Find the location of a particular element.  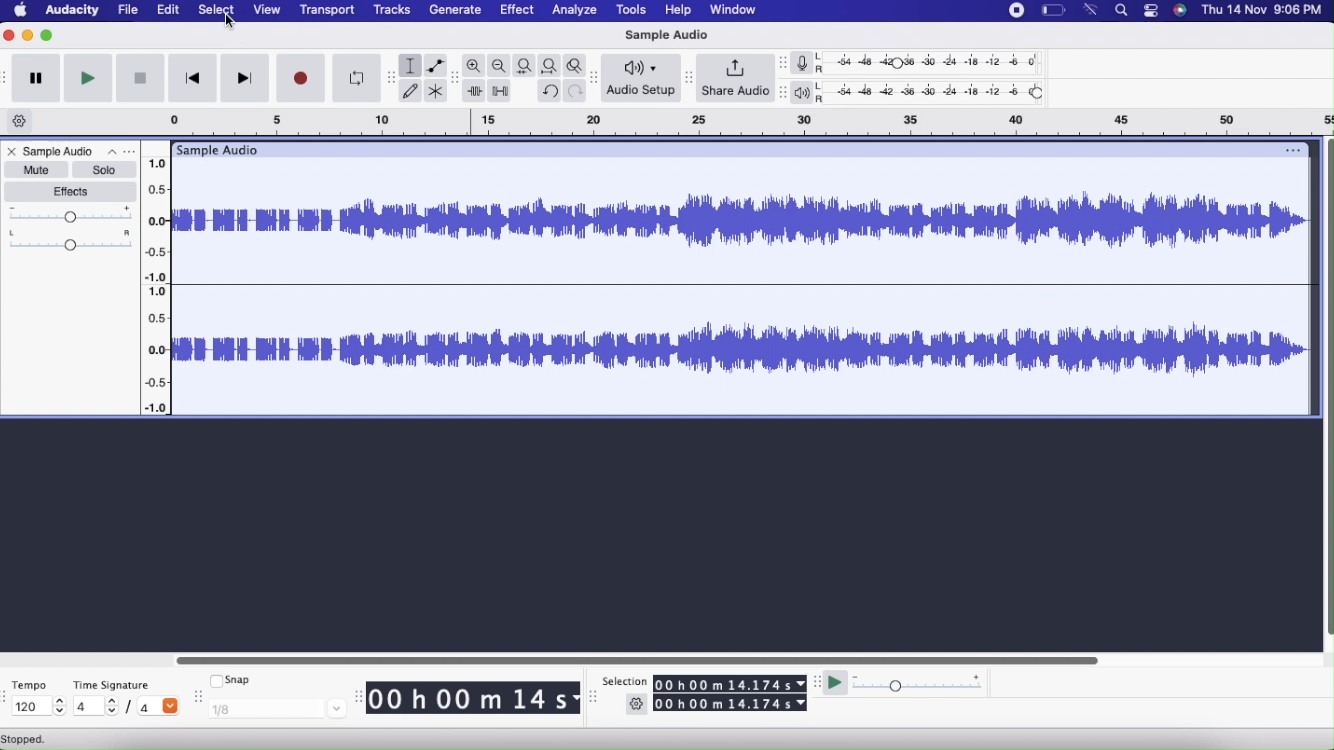

Silence audio selection is located at coordinates (501, 91).